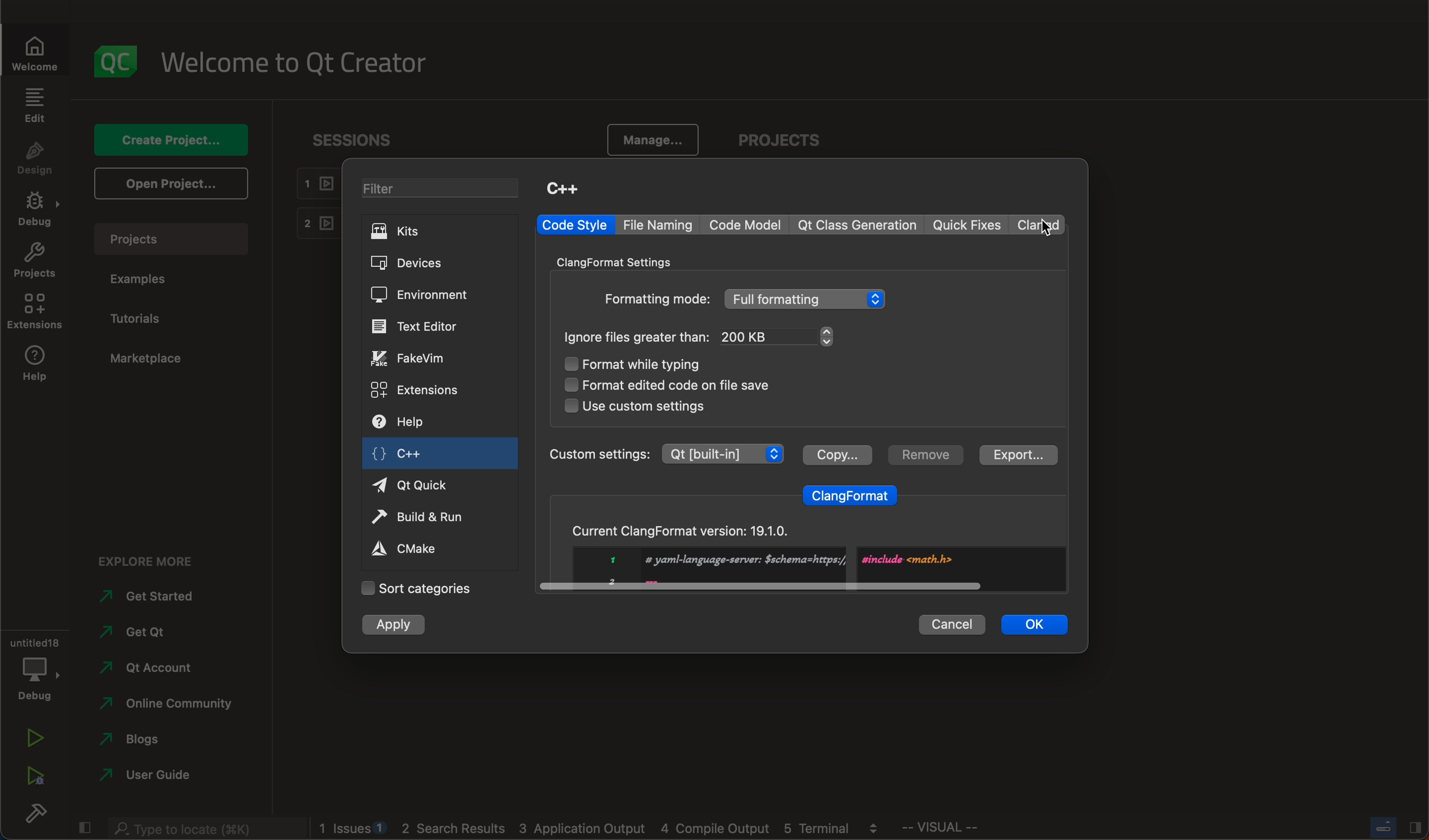  Describe the element at coordinates (574, 225) in the screenshot. I see `code style` at that location.